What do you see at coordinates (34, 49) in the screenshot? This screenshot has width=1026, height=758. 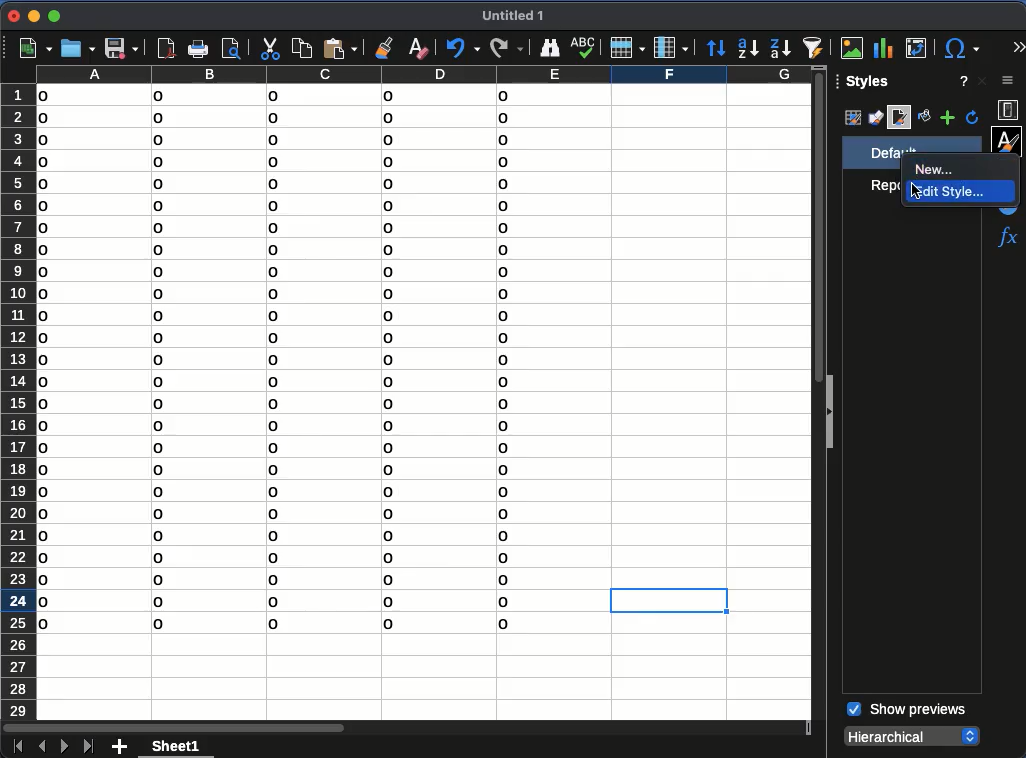 I see `new` at bounding box center [34, 49].